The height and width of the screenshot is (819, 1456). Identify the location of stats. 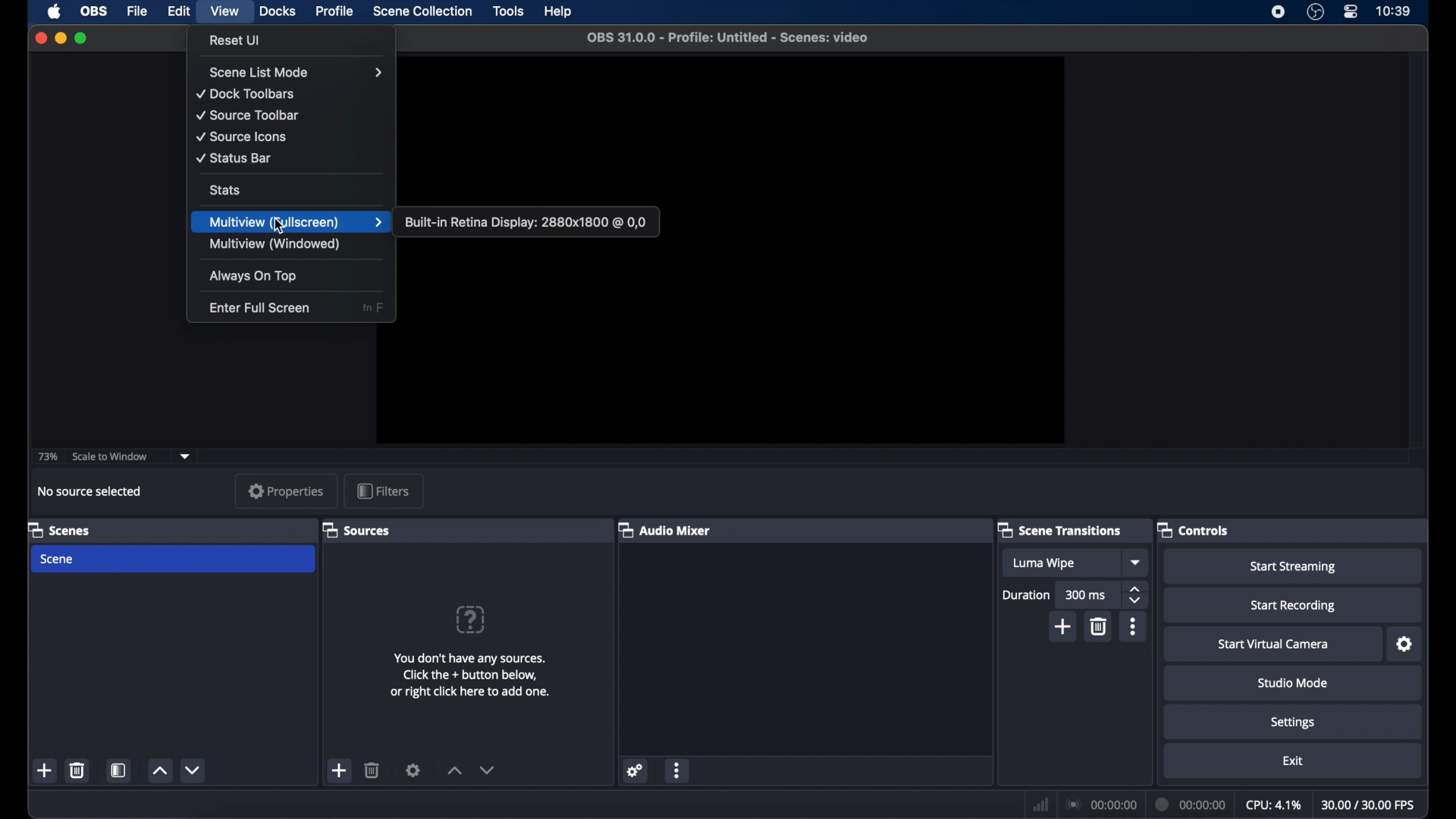
(224, 190).